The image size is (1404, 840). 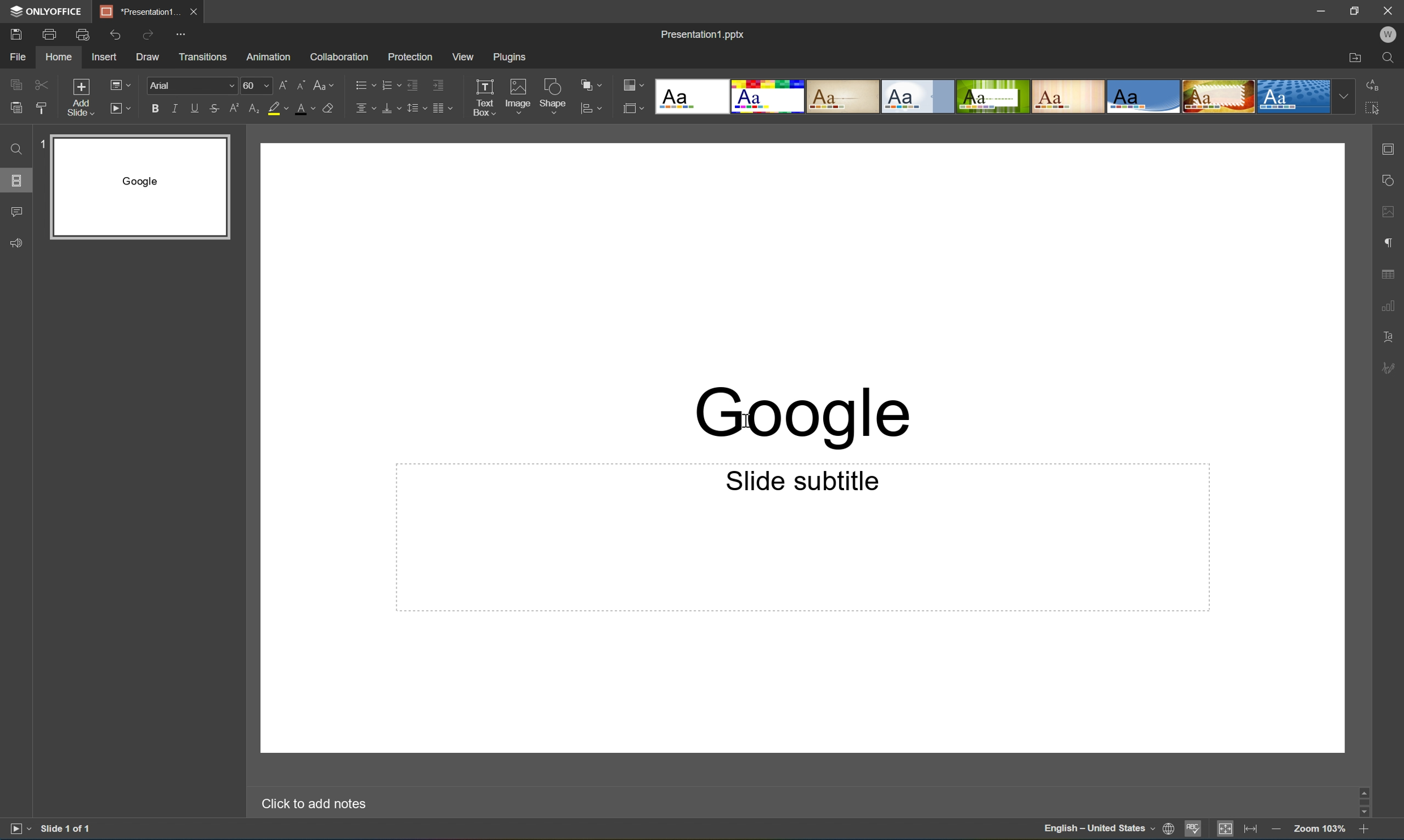 What do you see at coordinates (1389, 274) in the screenshot?
I see `Table settings` at bounding box center [1389, 274].